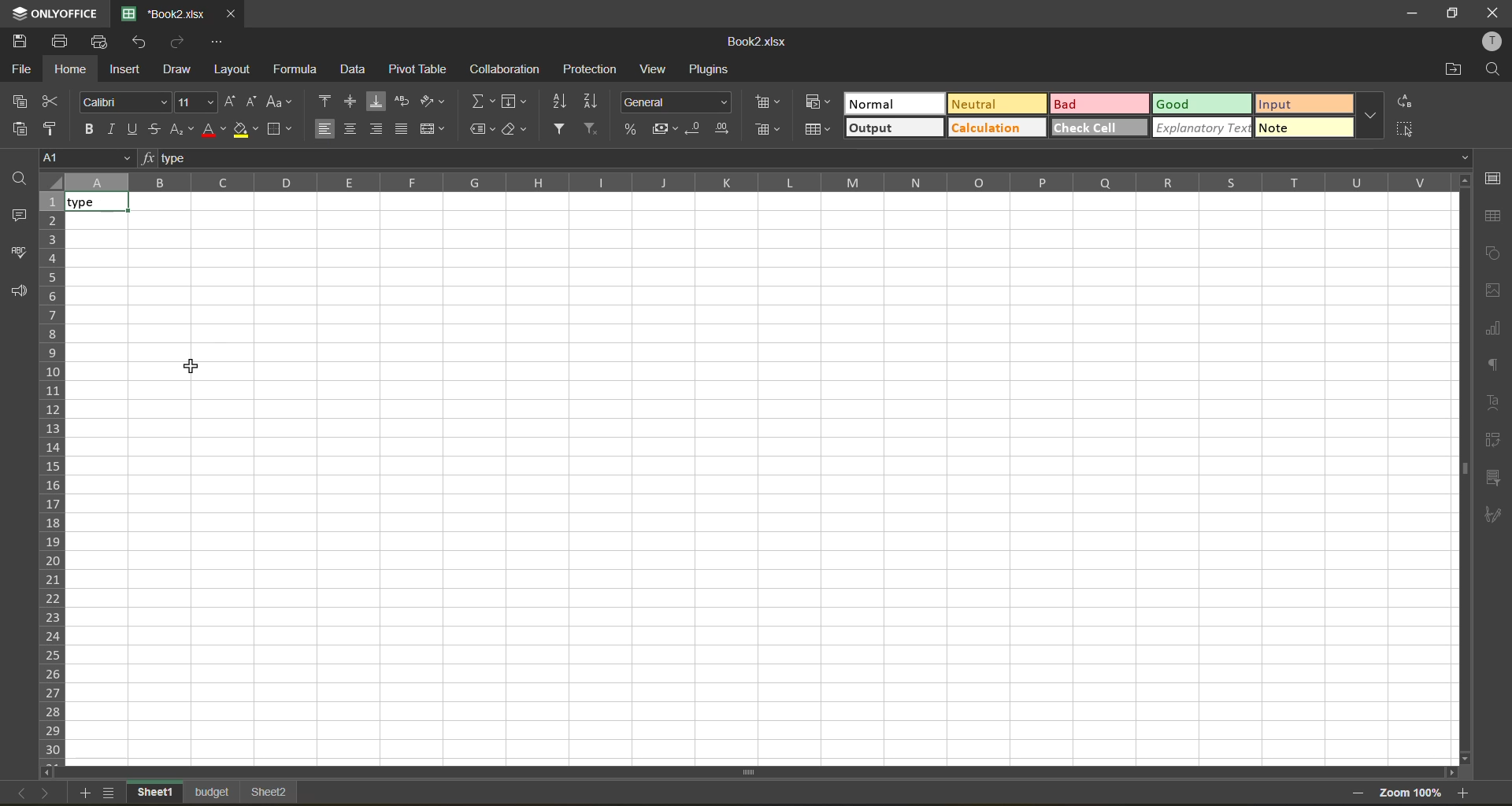 The image size is (1512, 806). What do you see at coordinates (17, 130) in the screenshot?
I see `paste` at bounding box center [17, 130].